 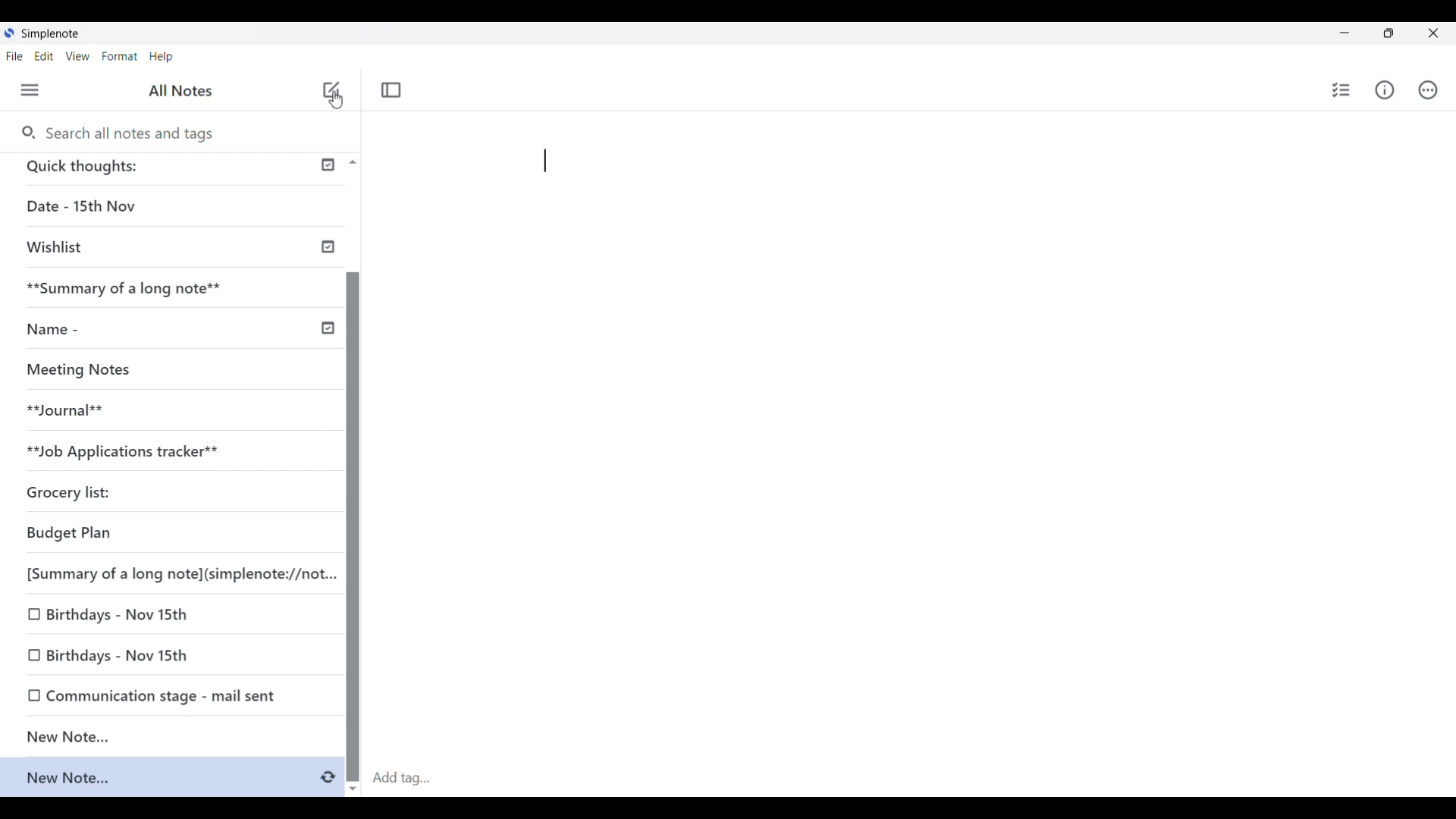 What do you see at coordinates (1389, 33) in the screenshot?
I see `Show interface in a smaller tab` at bounding box center [1389, 33].